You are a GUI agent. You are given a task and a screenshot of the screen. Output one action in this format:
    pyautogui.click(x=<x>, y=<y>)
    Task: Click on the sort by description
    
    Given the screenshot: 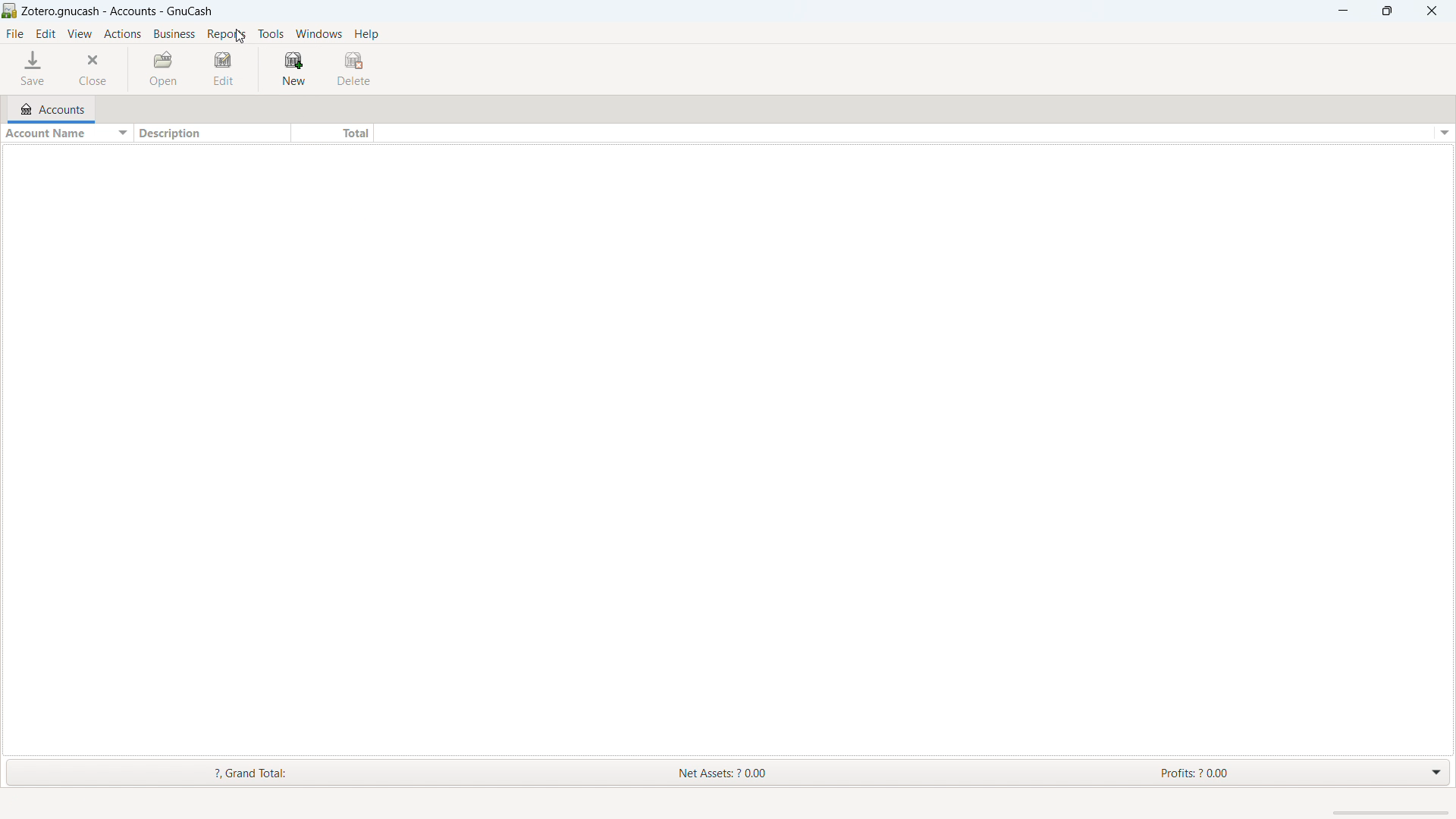 What is the action you would take?
    pyautogui.click(x=209, y=134)
    